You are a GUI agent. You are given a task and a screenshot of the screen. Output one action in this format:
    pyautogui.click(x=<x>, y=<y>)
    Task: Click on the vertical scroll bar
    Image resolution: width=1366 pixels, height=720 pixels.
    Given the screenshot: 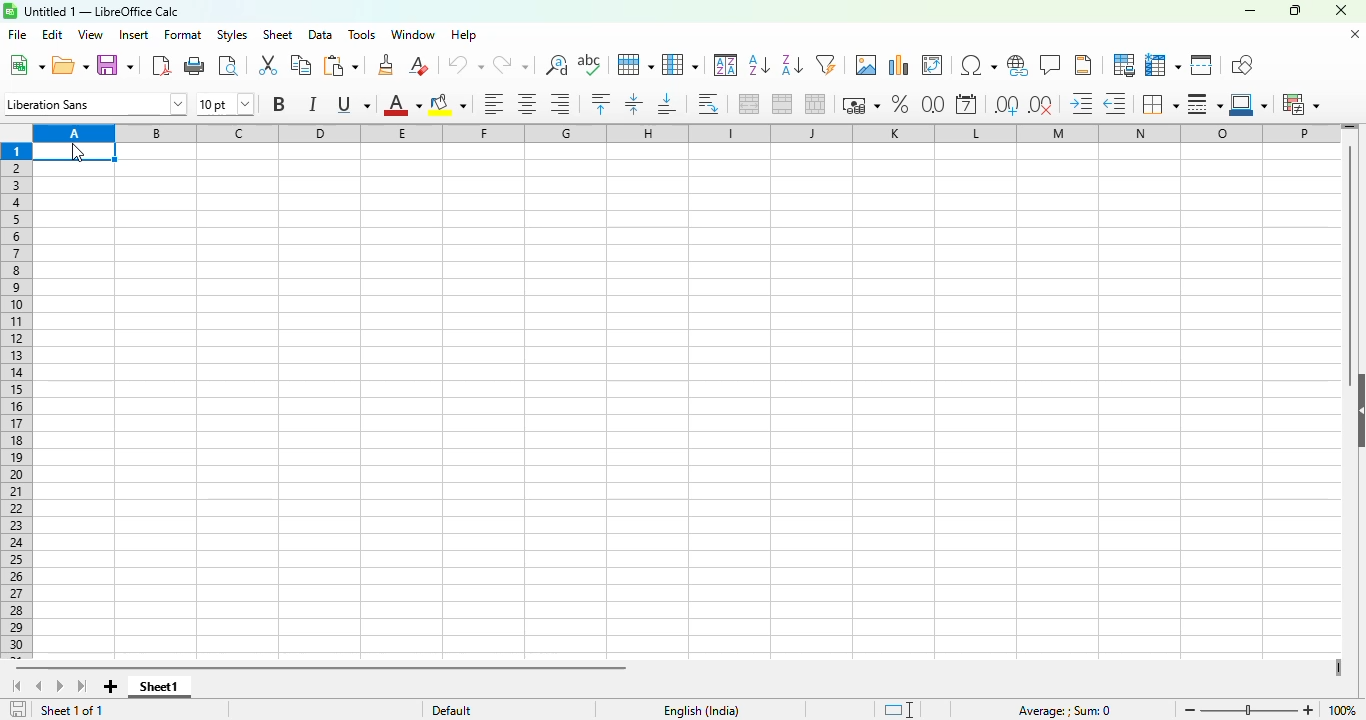 What is the action you would take?
    pyautogui.click(x=1351, y=254)
    